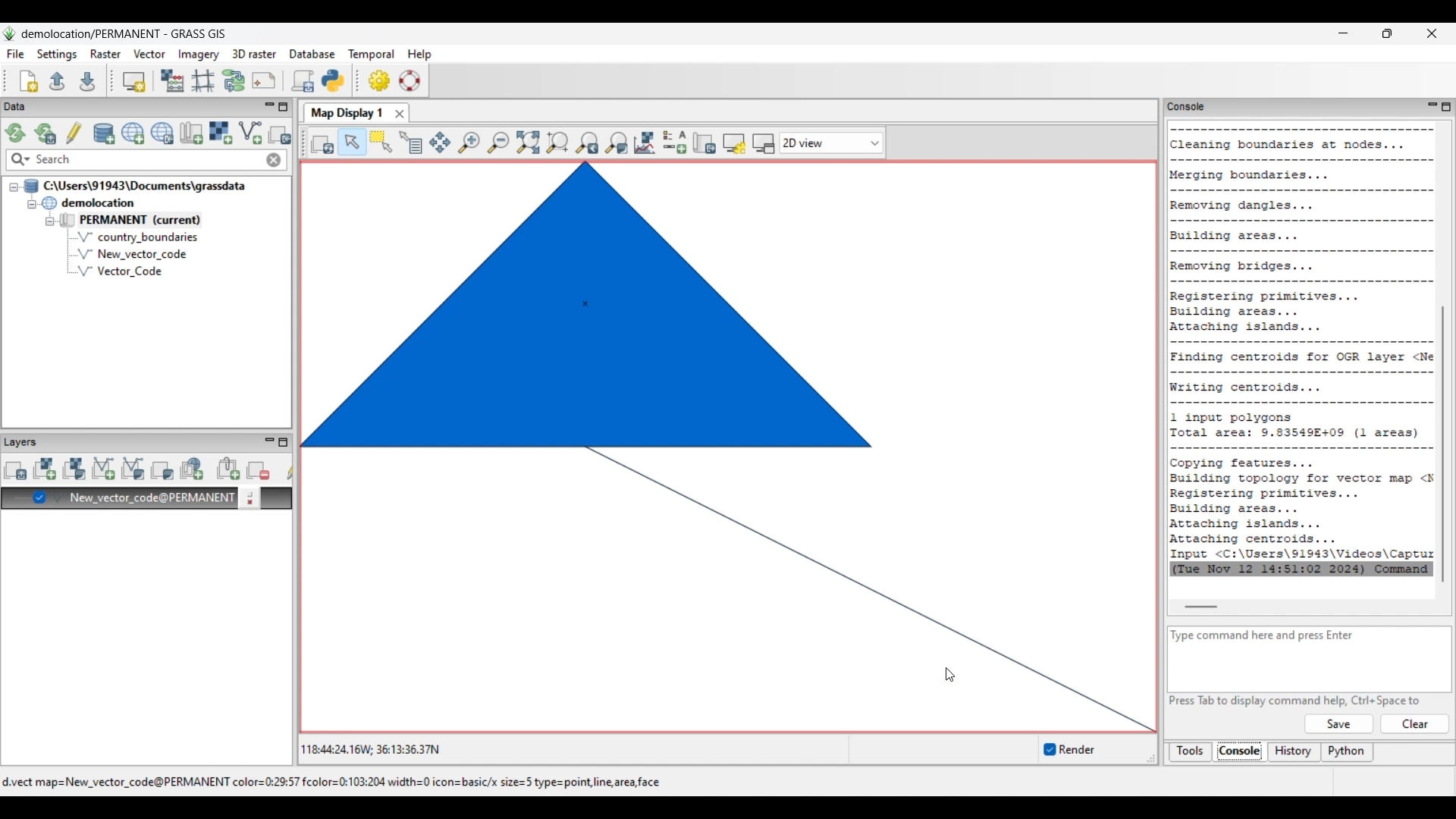  What do you see at coordinates (312, 55) in the screenshot?
I see `Database menu` at bounding box center [312, 55].